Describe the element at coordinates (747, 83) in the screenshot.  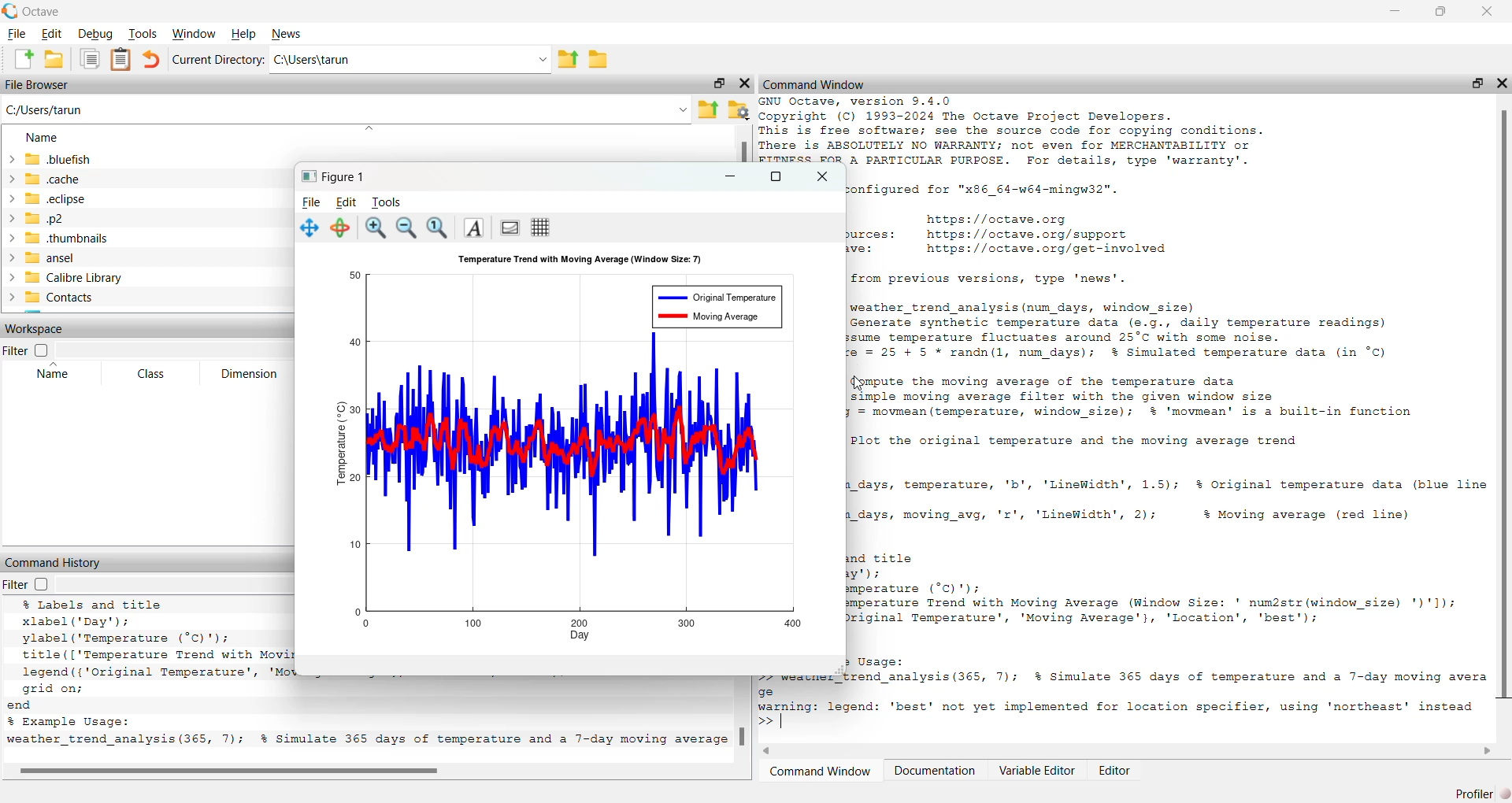
I see `Close` at that location.